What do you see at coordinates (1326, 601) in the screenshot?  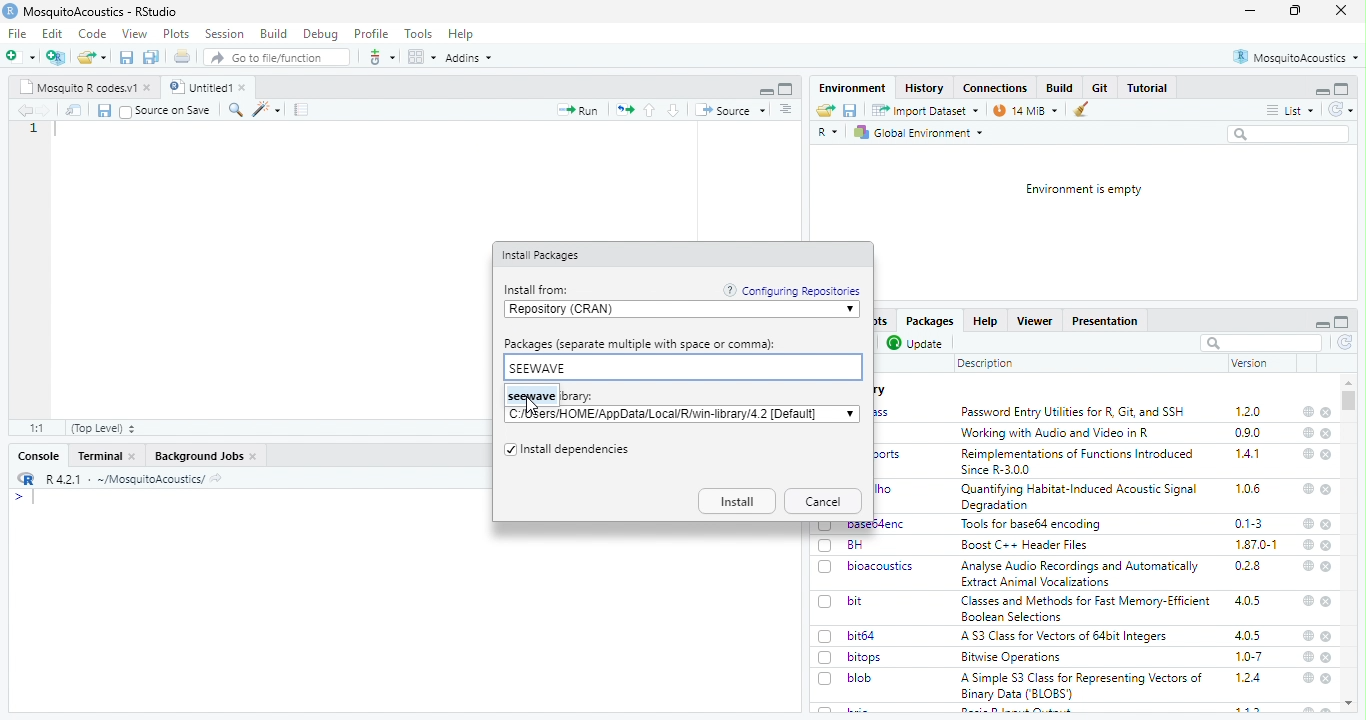 I see `close` at bounding box center [1326, 601].